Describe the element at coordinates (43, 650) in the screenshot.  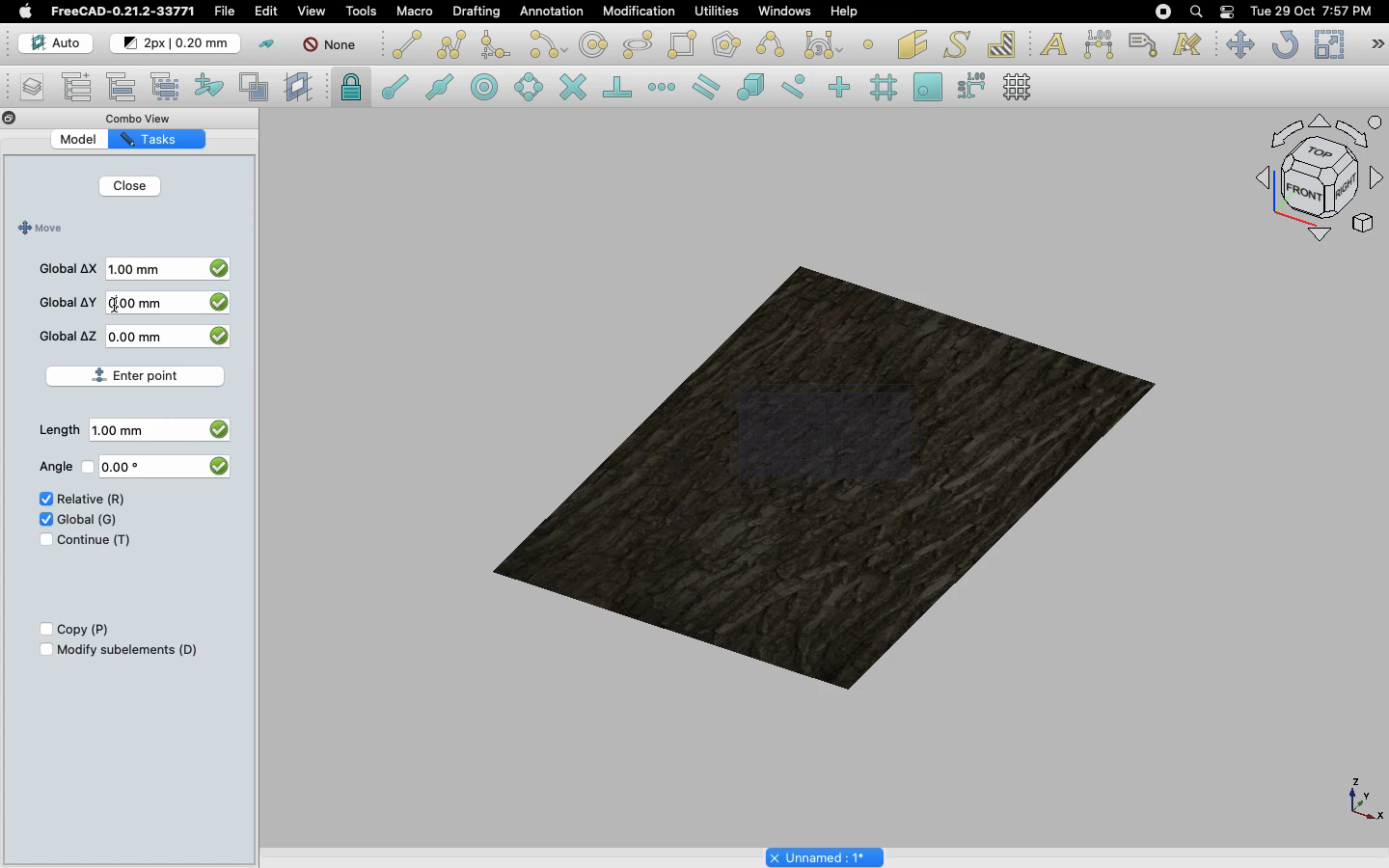
I see `Checkbox` at that location.